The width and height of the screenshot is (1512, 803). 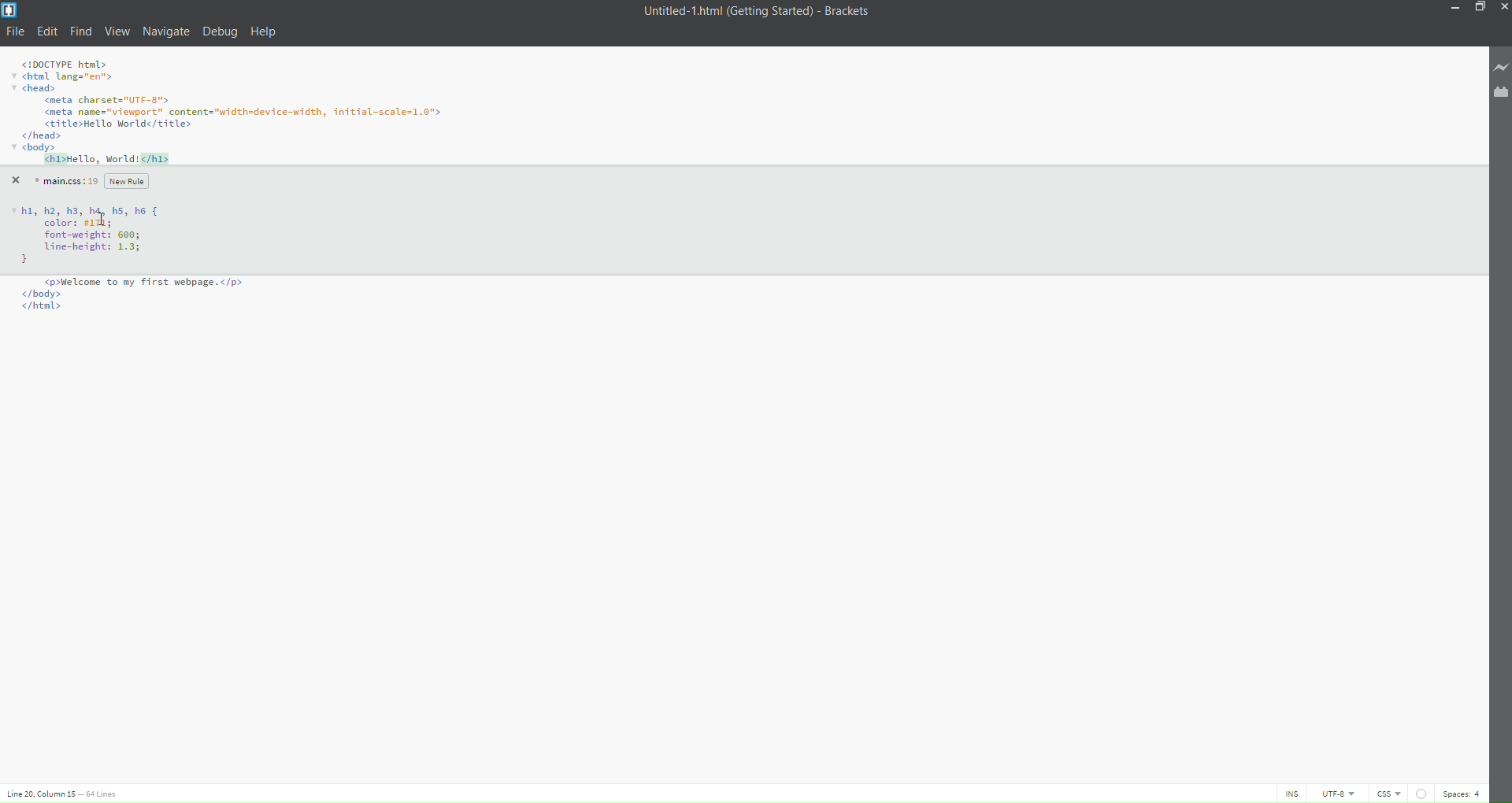 I want to click on file type, so click(x=1385, y=794).